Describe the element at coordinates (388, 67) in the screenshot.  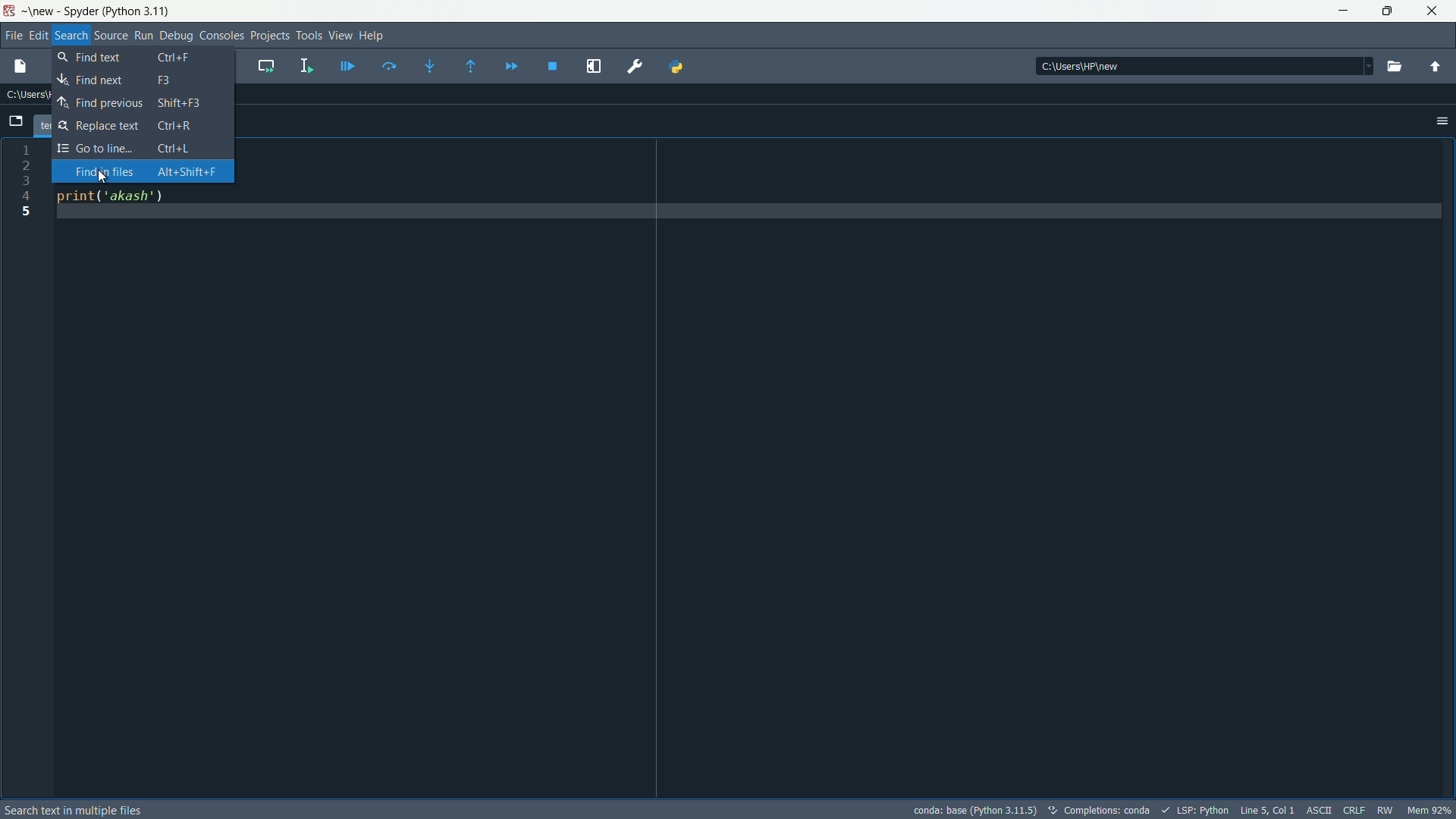
I see `run current line` at that location.